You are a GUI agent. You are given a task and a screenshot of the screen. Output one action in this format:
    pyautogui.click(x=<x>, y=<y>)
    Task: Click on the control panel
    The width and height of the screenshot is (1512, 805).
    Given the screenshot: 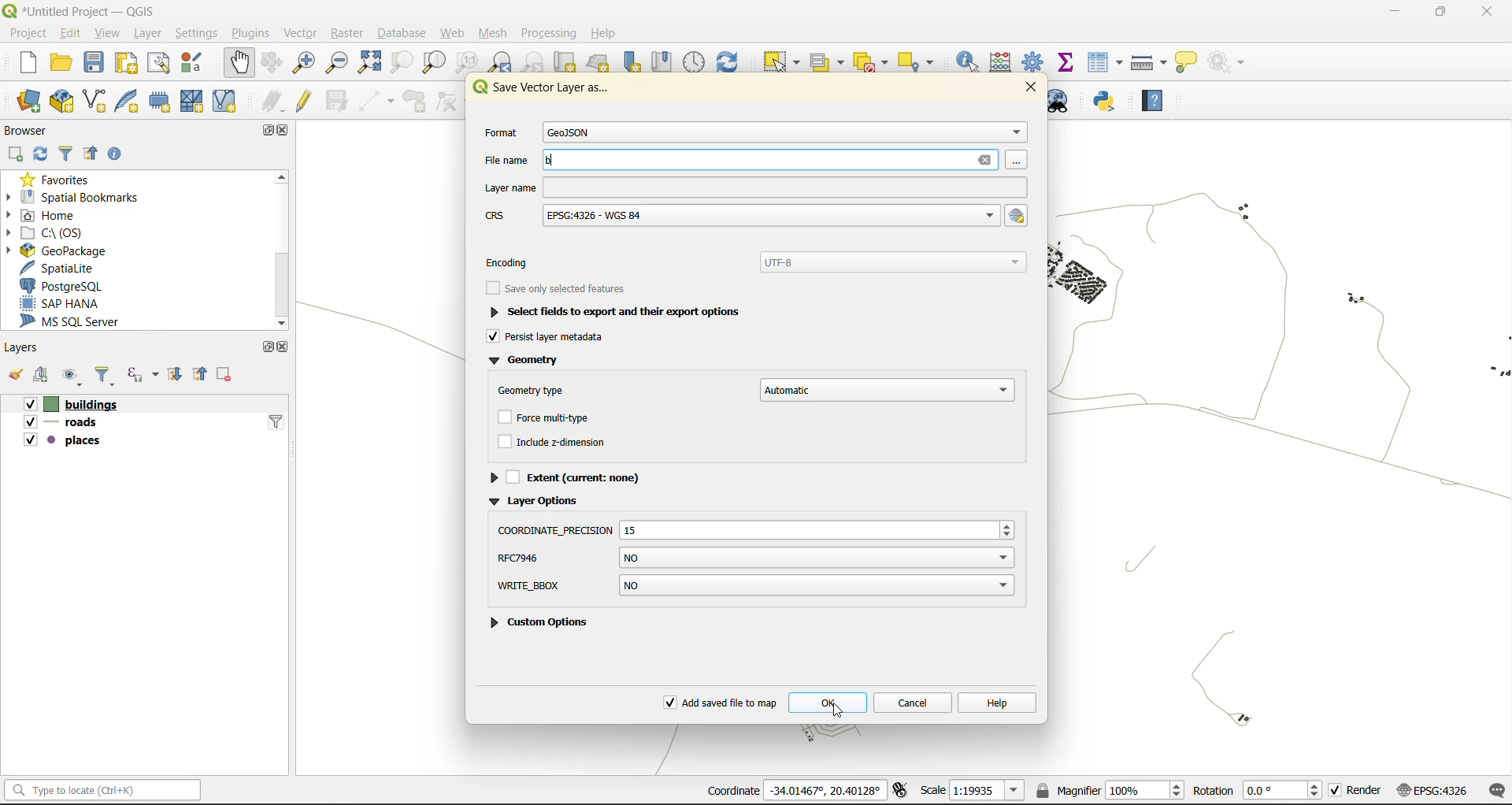 What is the action you would take?
    pyautogui.click(x=695, y=61)
    